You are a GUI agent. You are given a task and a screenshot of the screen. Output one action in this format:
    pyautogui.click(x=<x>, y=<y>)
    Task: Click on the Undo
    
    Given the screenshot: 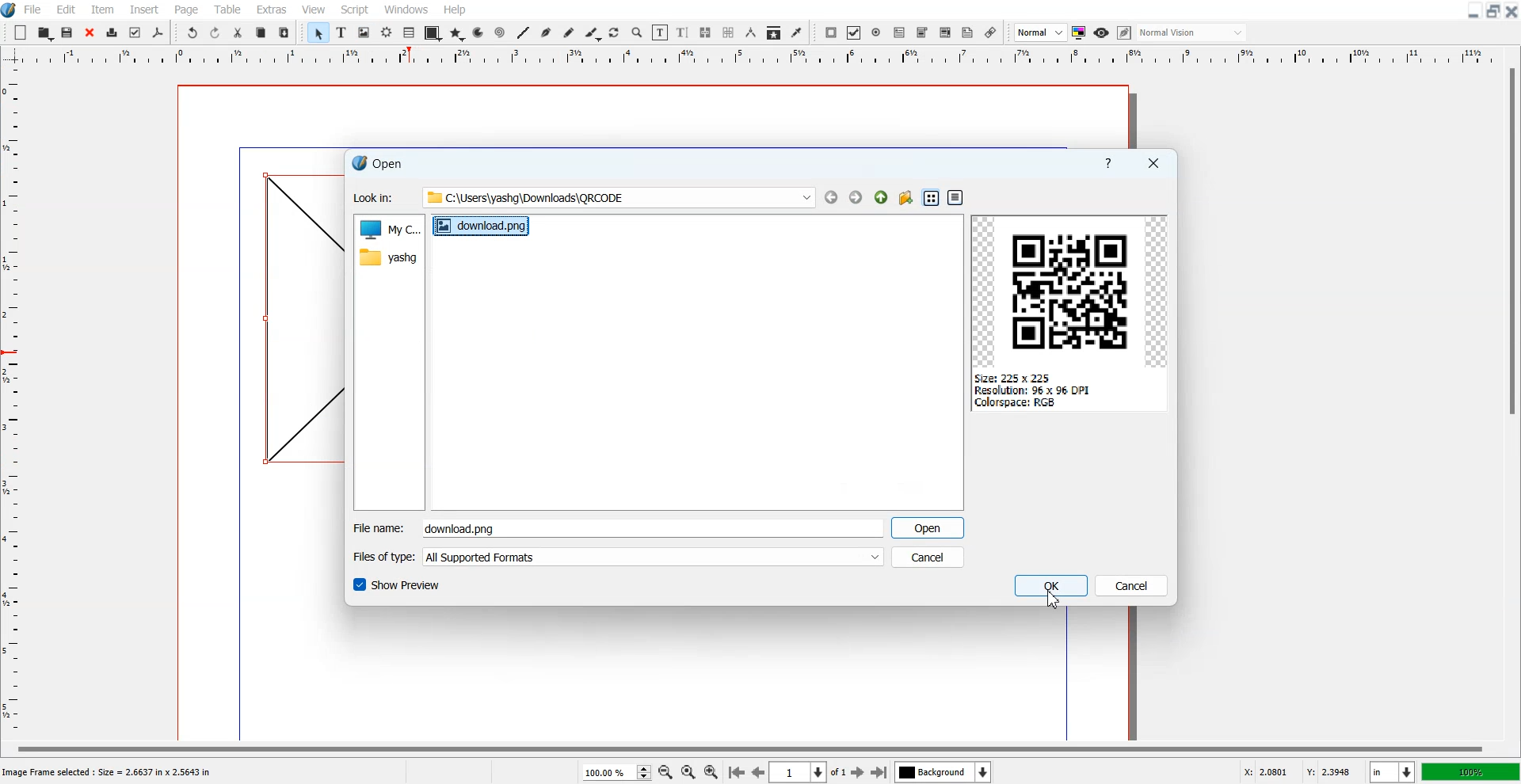 What is the action you would take?
    pyautogui.click(x=193, y=32)
    